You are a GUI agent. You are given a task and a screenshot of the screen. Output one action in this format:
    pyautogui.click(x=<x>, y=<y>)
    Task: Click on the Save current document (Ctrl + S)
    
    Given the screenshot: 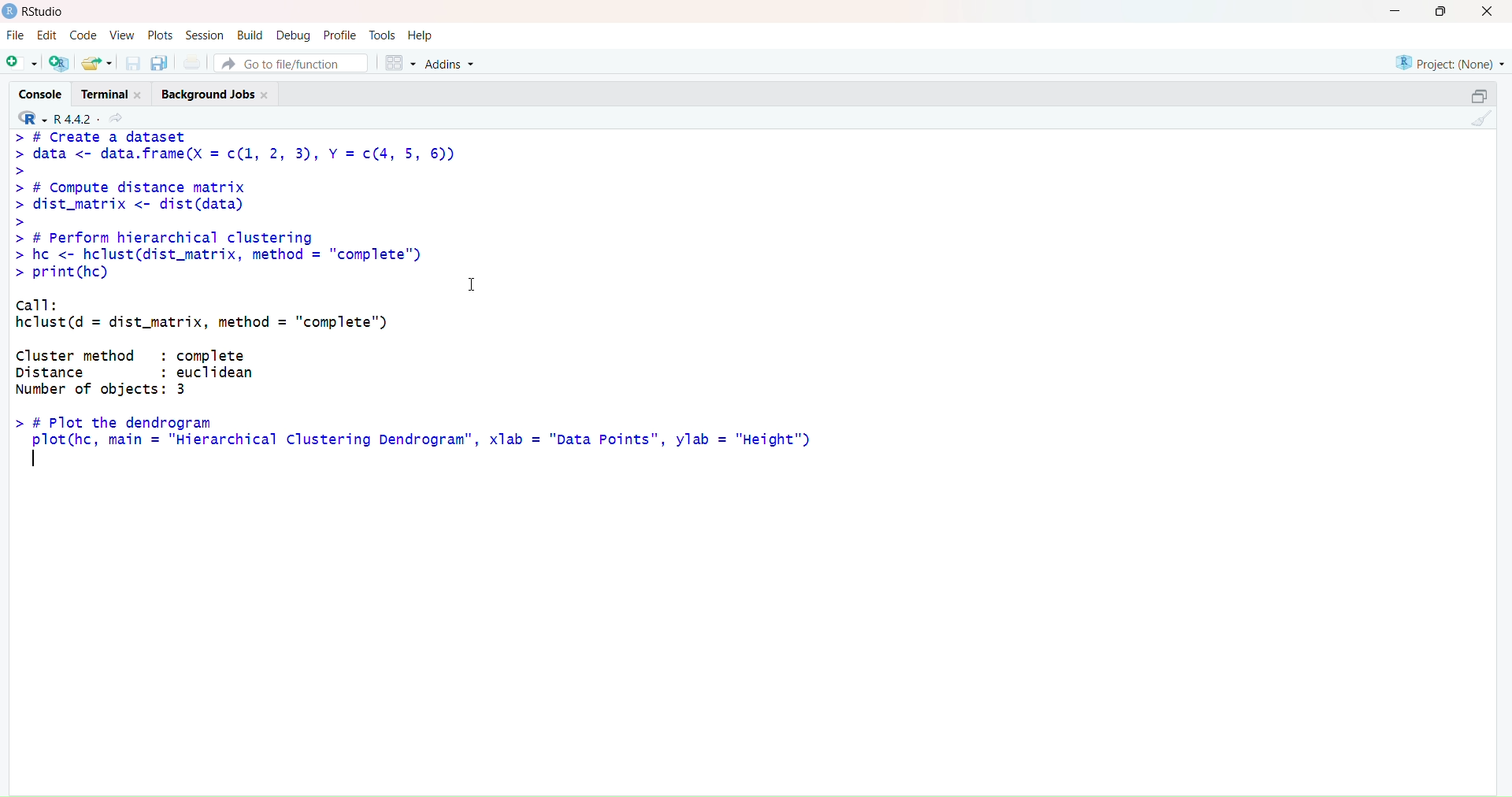 What is the action you would take?
    pyautogui.click(x=131, y=61)
    